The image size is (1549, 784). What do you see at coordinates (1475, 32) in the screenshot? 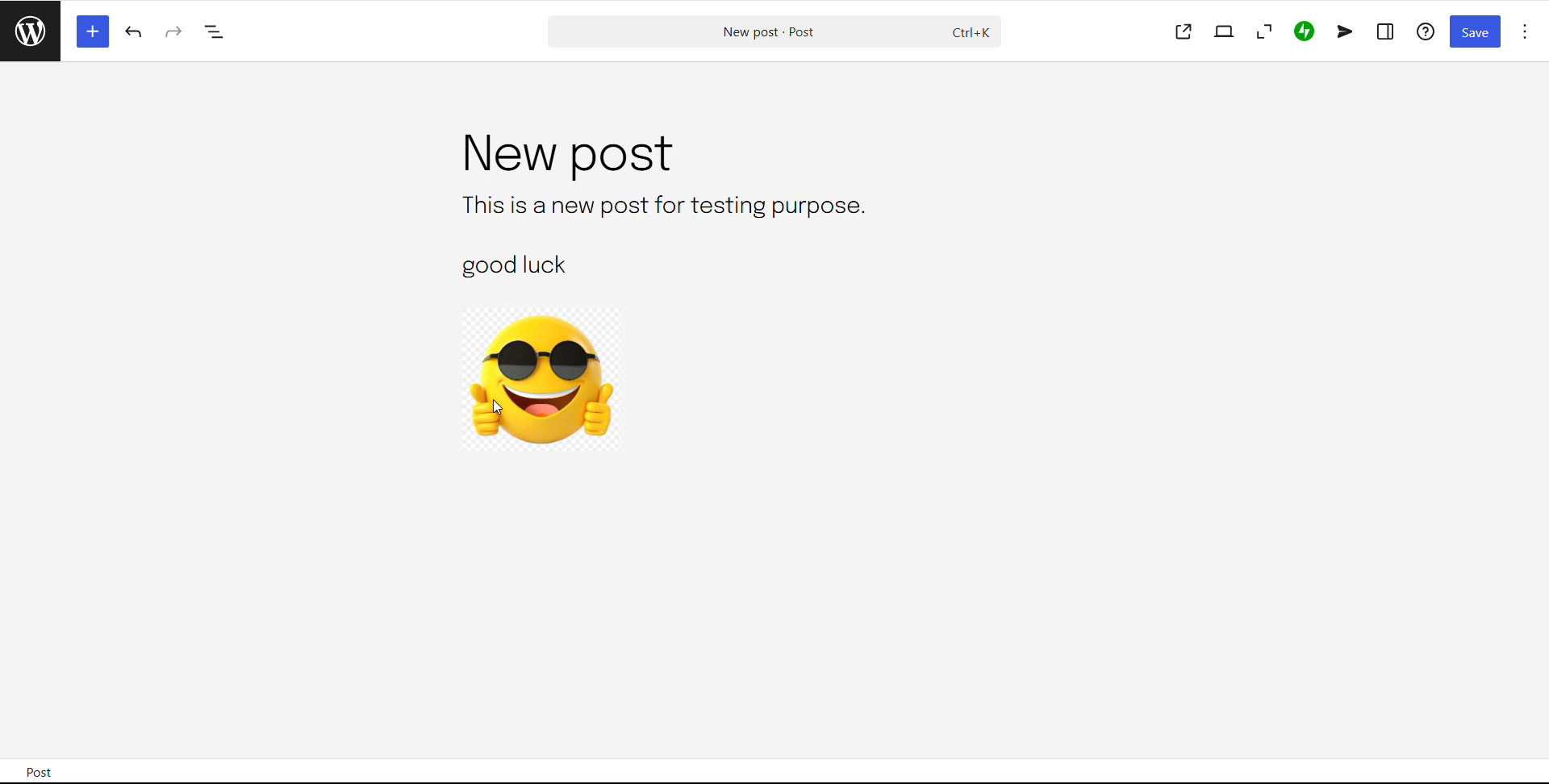
I see `save` at bounding box center [1475, 32].